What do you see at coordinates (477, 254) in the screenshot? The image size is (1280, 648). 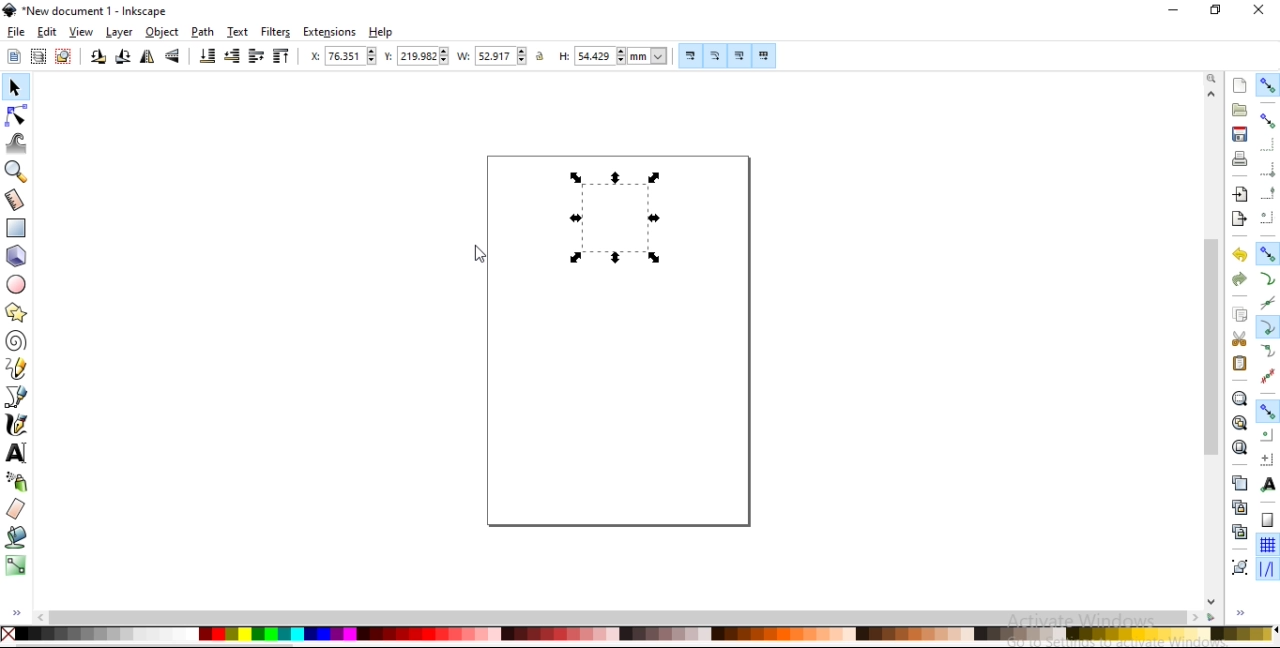 I see `cursor` at bounding box center [477, 254].